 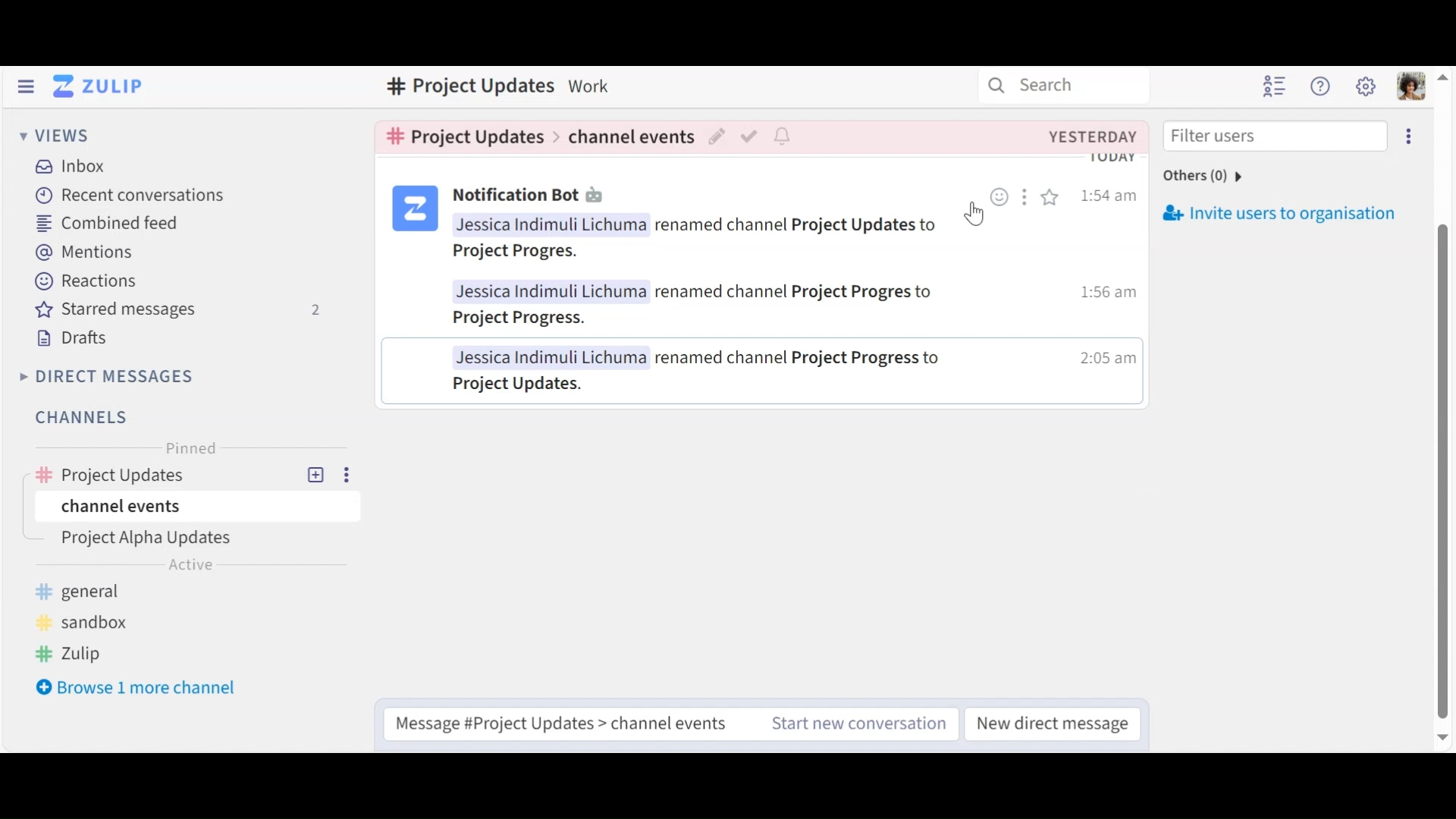 What do you see at coordinates (752, 136) in the screenshot?
I see `Mark as resolved` at bounding box center [752, 136].